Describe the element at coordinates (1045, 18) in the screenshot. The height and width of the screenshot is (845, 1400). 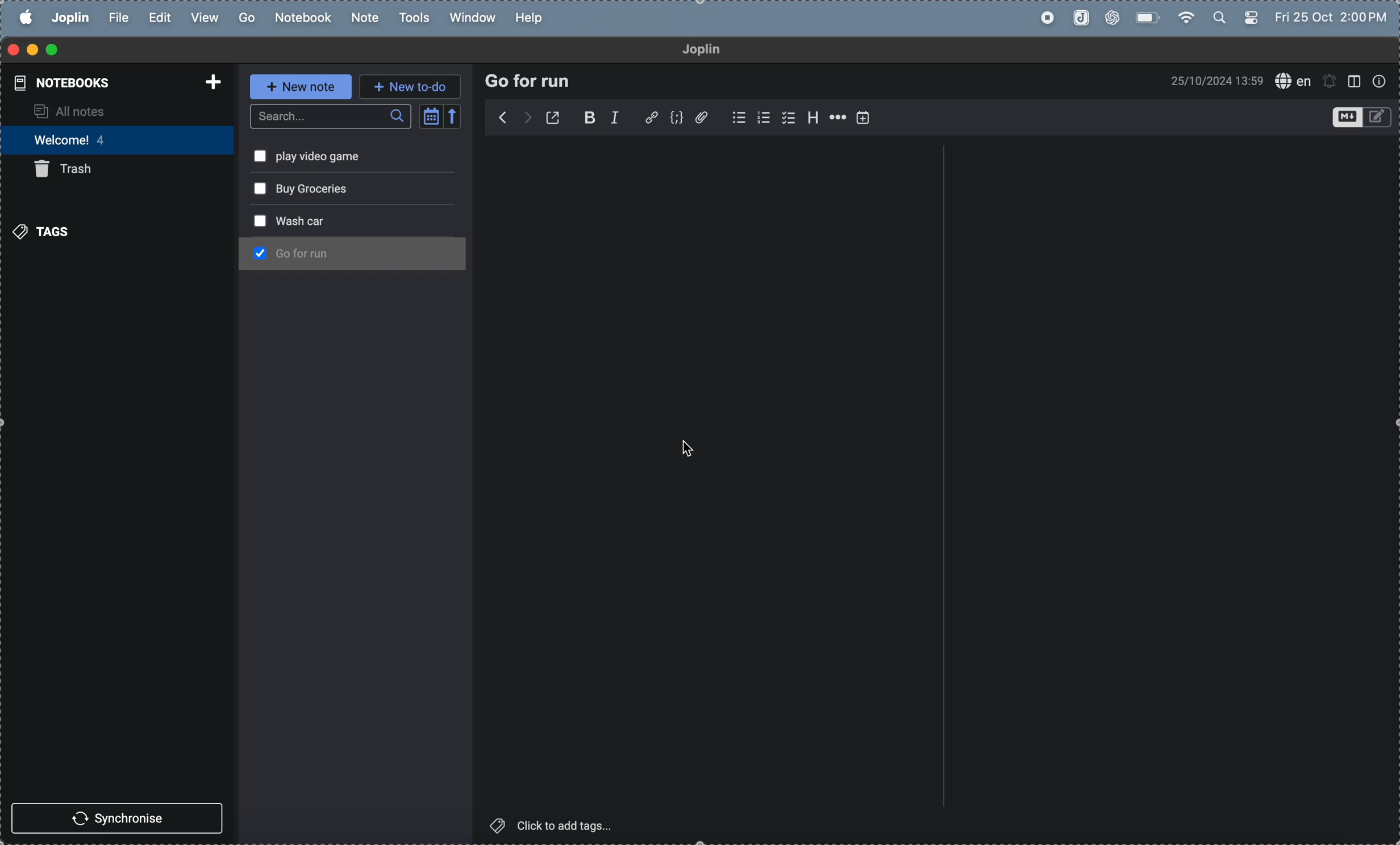
I see `record` at that location.